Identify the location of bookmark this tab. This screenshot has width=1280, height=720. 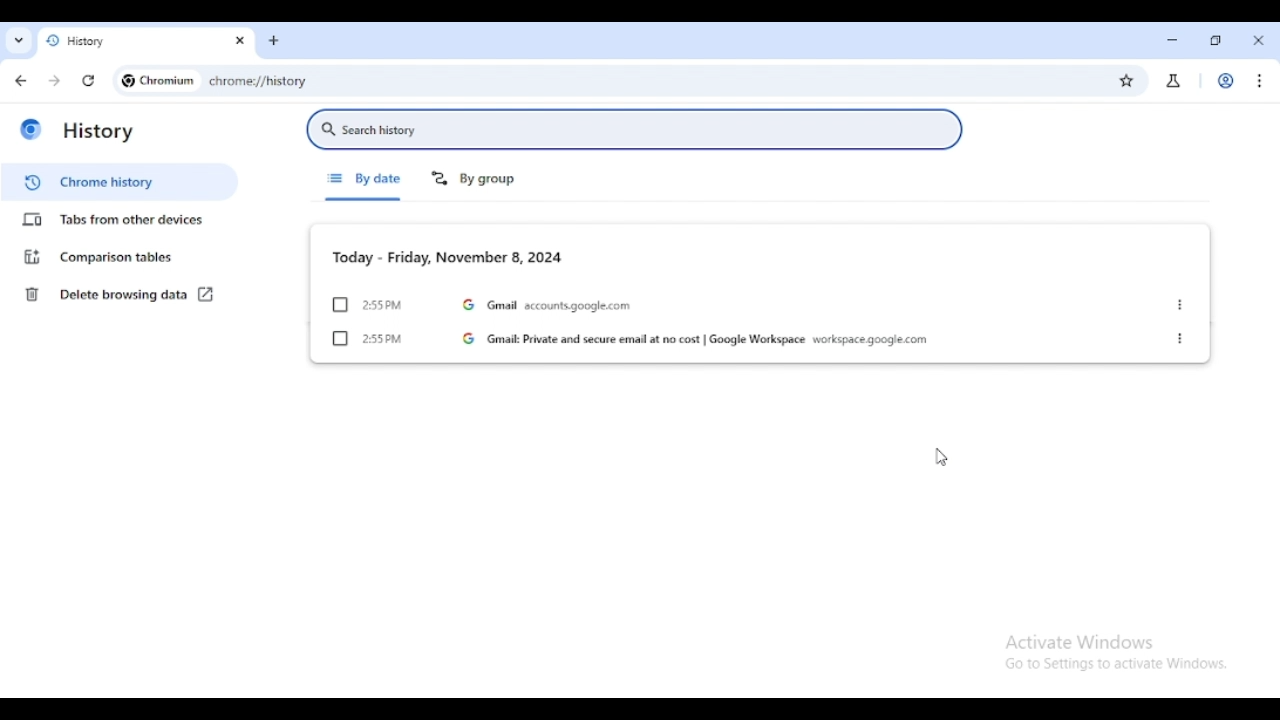
(1127, 79).